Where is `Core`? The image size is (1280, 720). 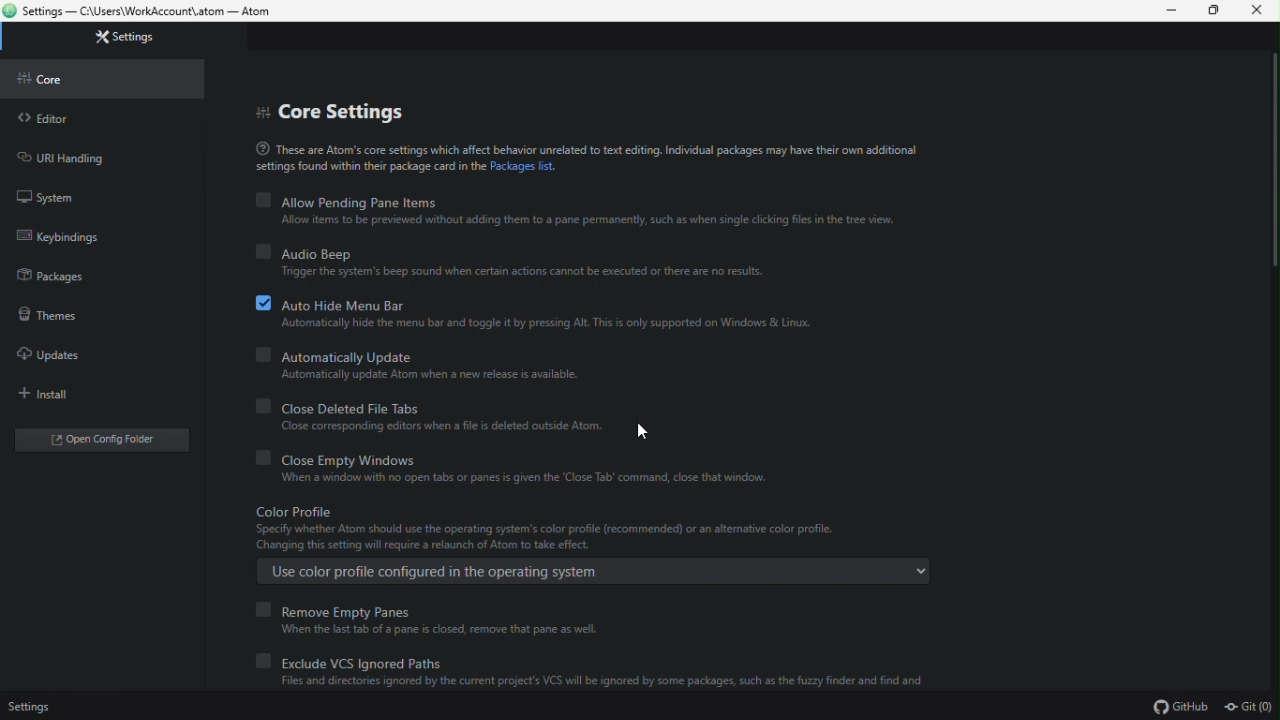 Core is located at coordinates (112, 80).